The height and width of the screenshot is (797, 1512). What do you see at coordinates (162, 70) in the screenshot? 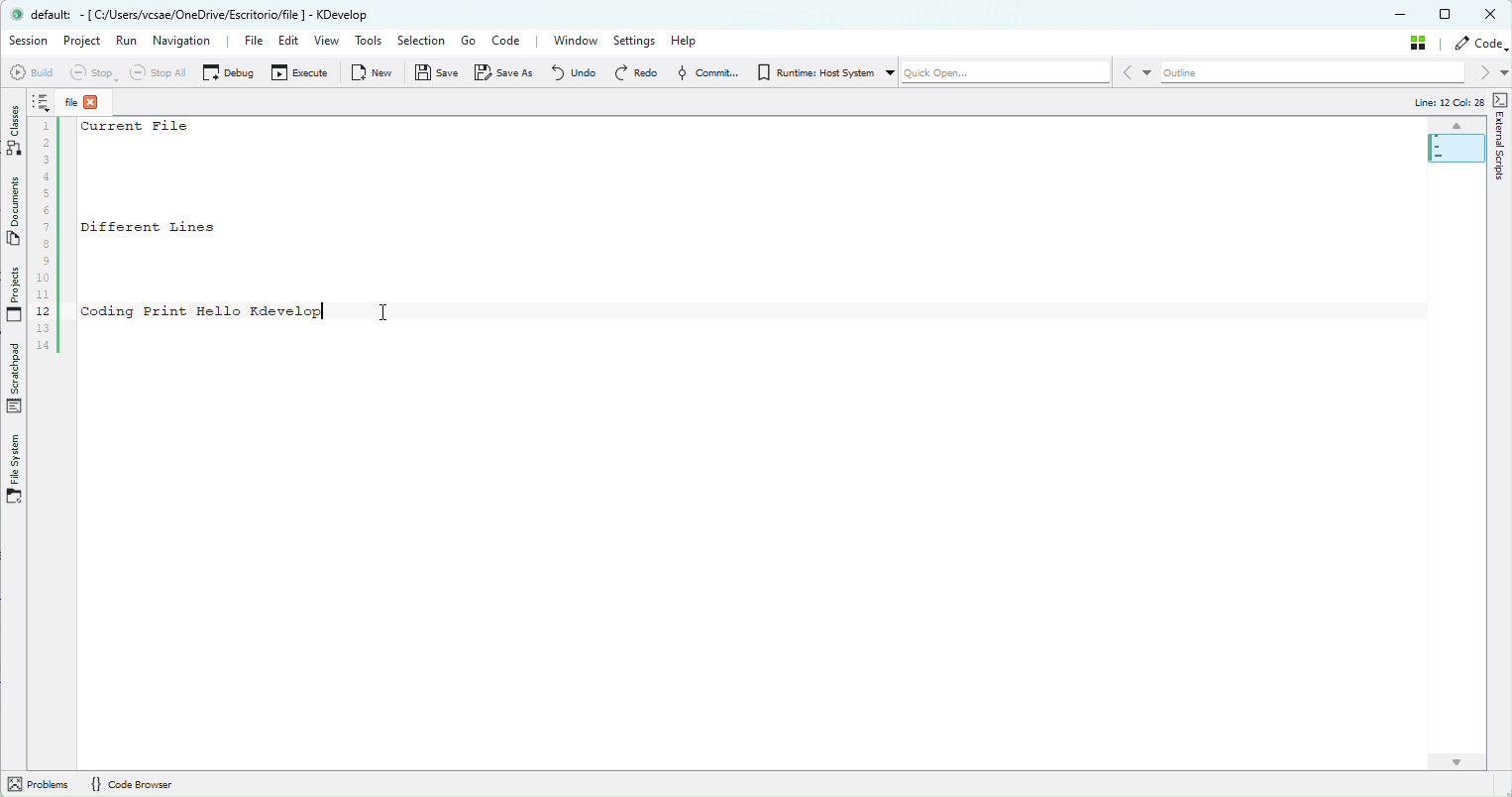
I see `Stop all` at bounding box center [162, 70].